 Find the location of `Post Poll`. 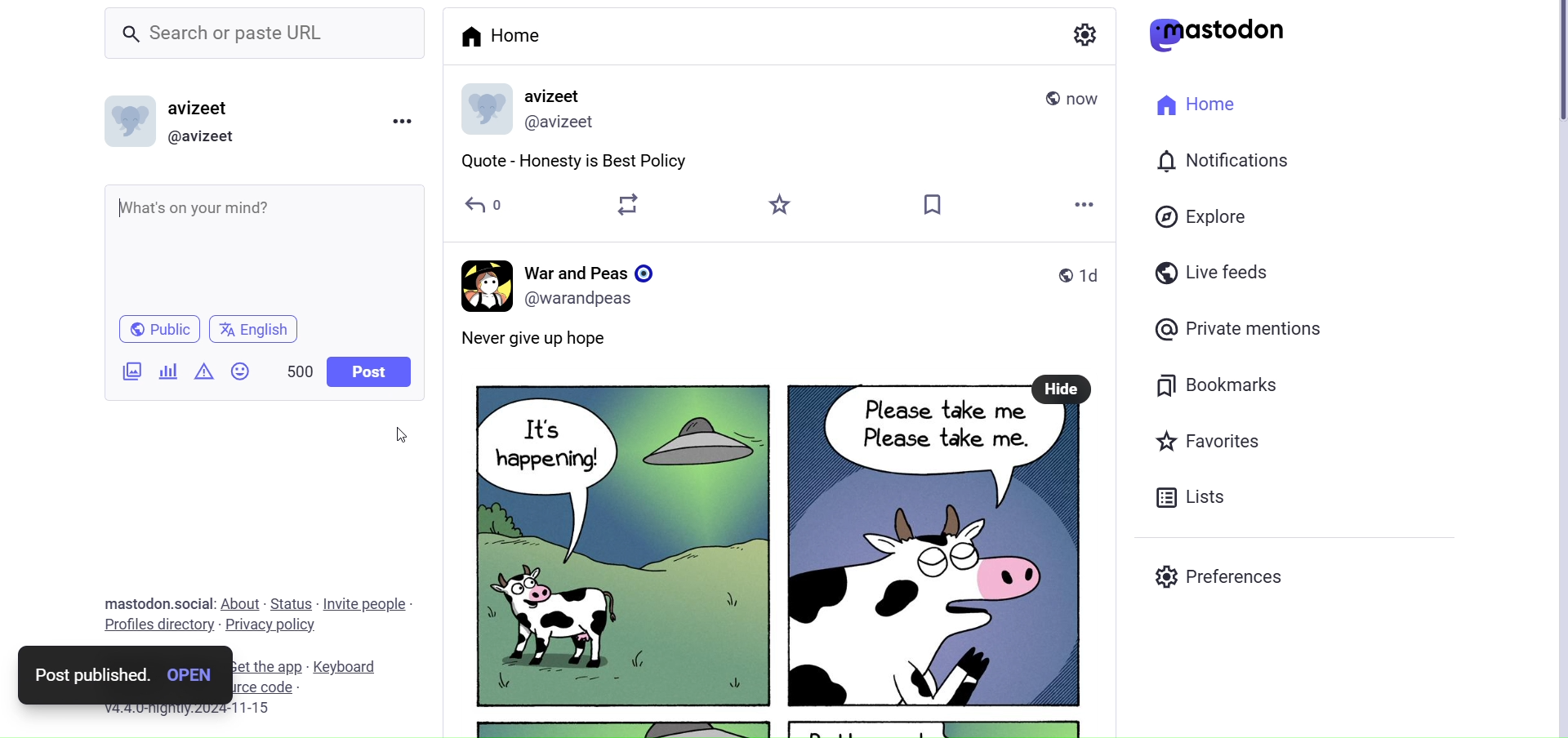

Post Poll is located at coordinates (166, 370).